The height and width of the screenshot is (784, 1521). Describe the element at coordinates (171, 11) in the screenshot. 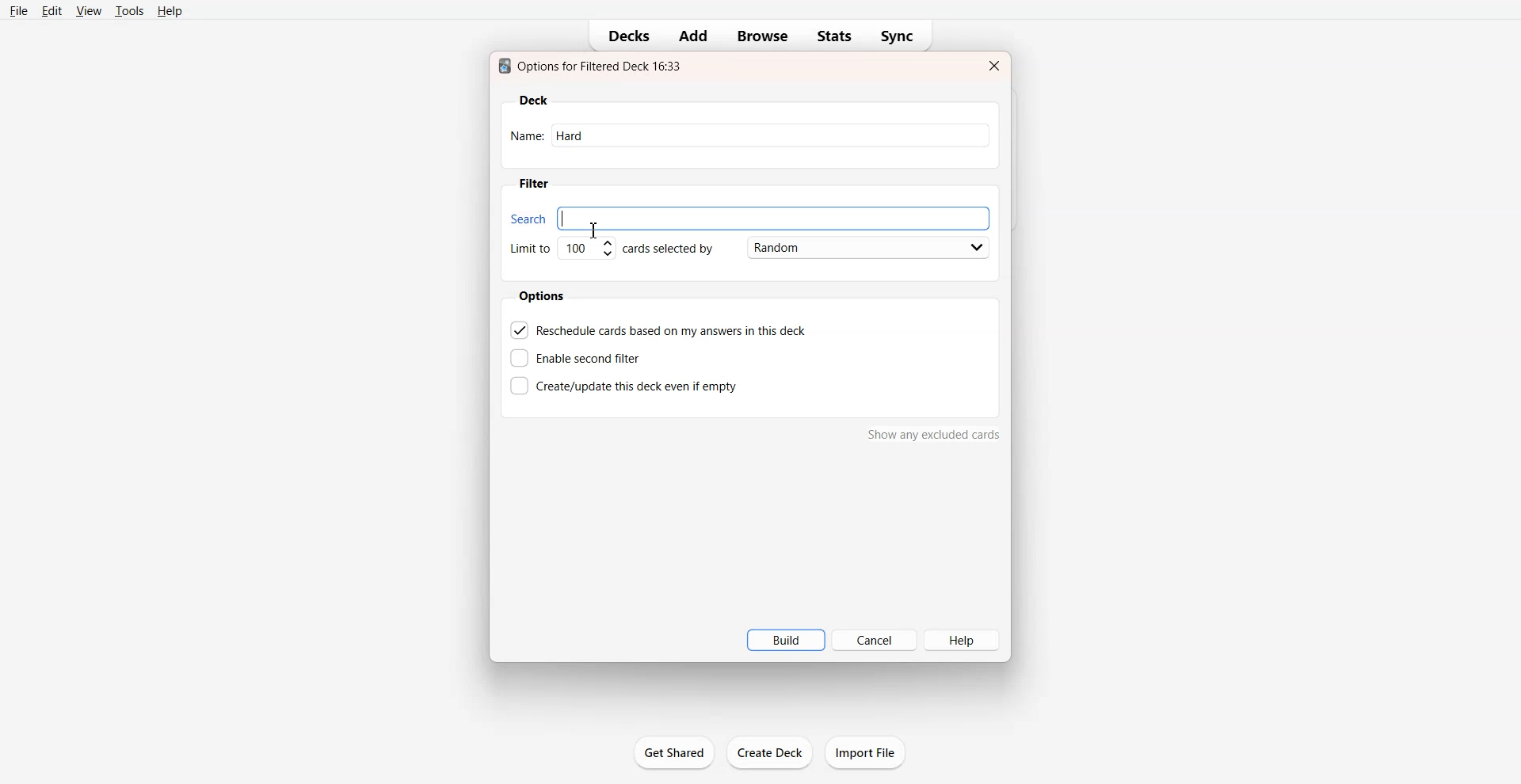

I see `Help` at that location.